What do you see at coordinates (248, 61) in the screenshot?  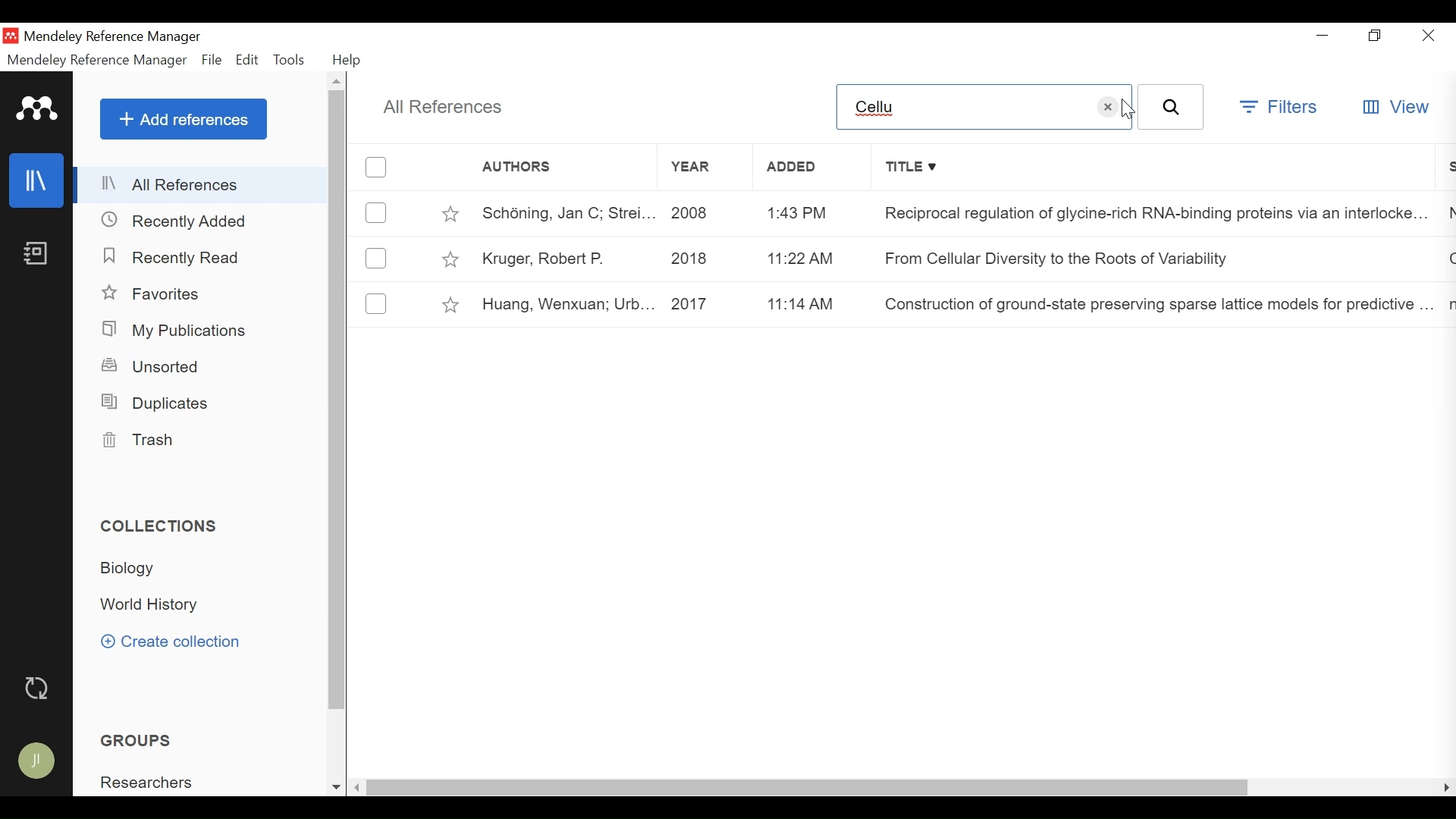 I see `Edit` at bounding box center [248, 61].